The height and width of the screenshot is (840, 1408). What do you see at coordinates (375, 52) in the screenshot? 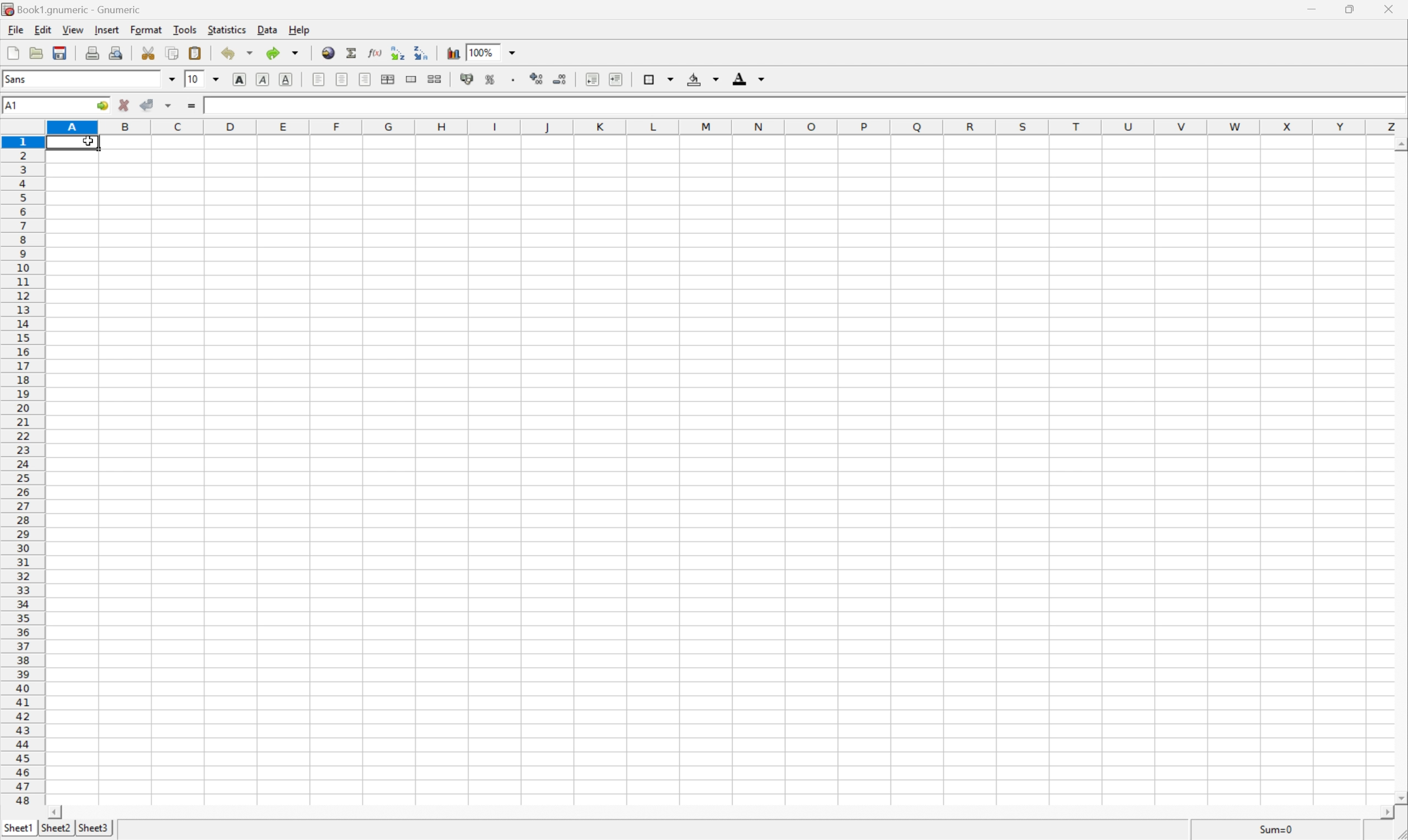
I see `edit function in current cell` at bounding box center [375, 52].